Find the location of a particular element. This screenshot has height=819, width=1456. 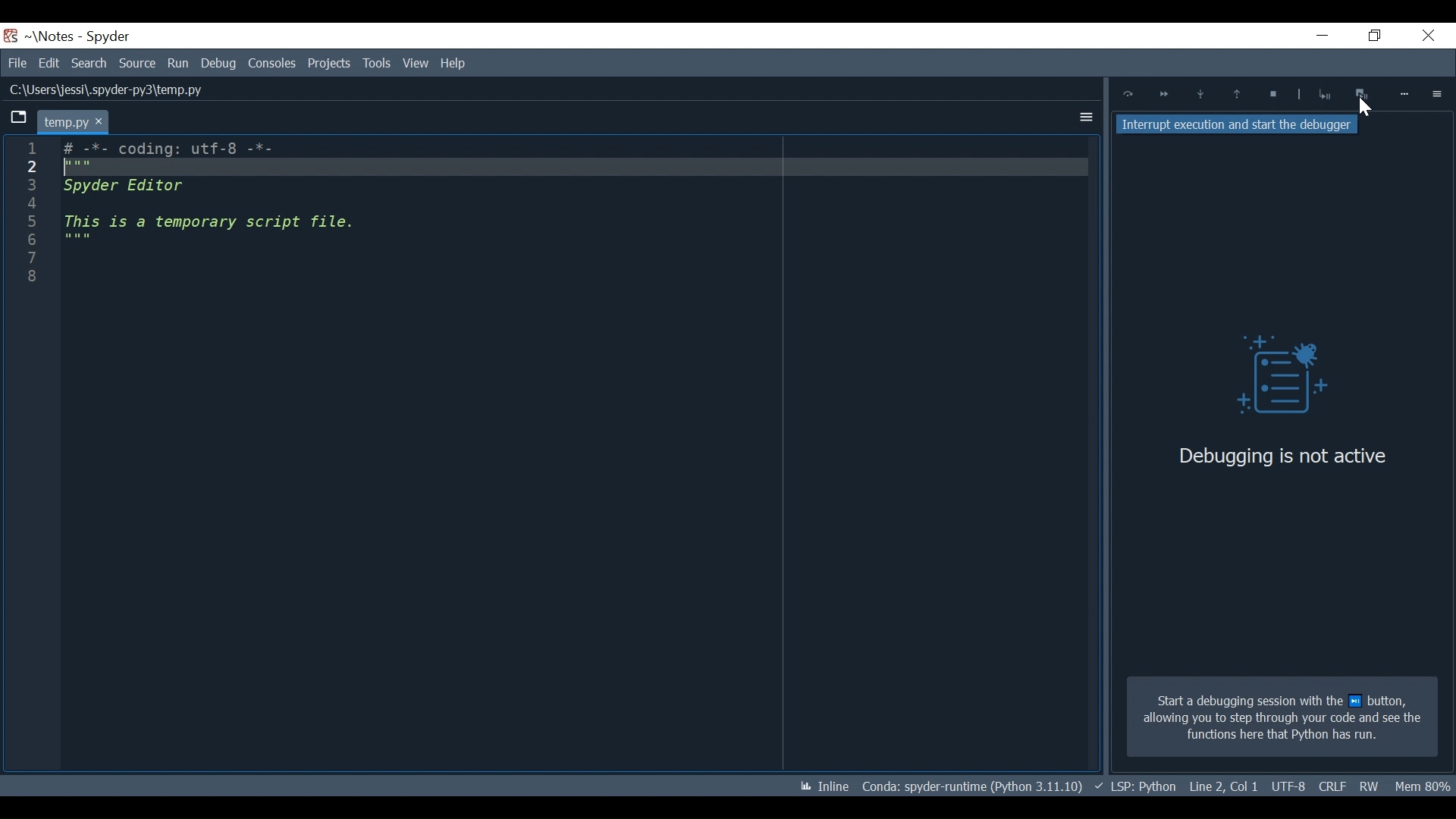

Execute Current Line is located at coordinates (1128, 94).